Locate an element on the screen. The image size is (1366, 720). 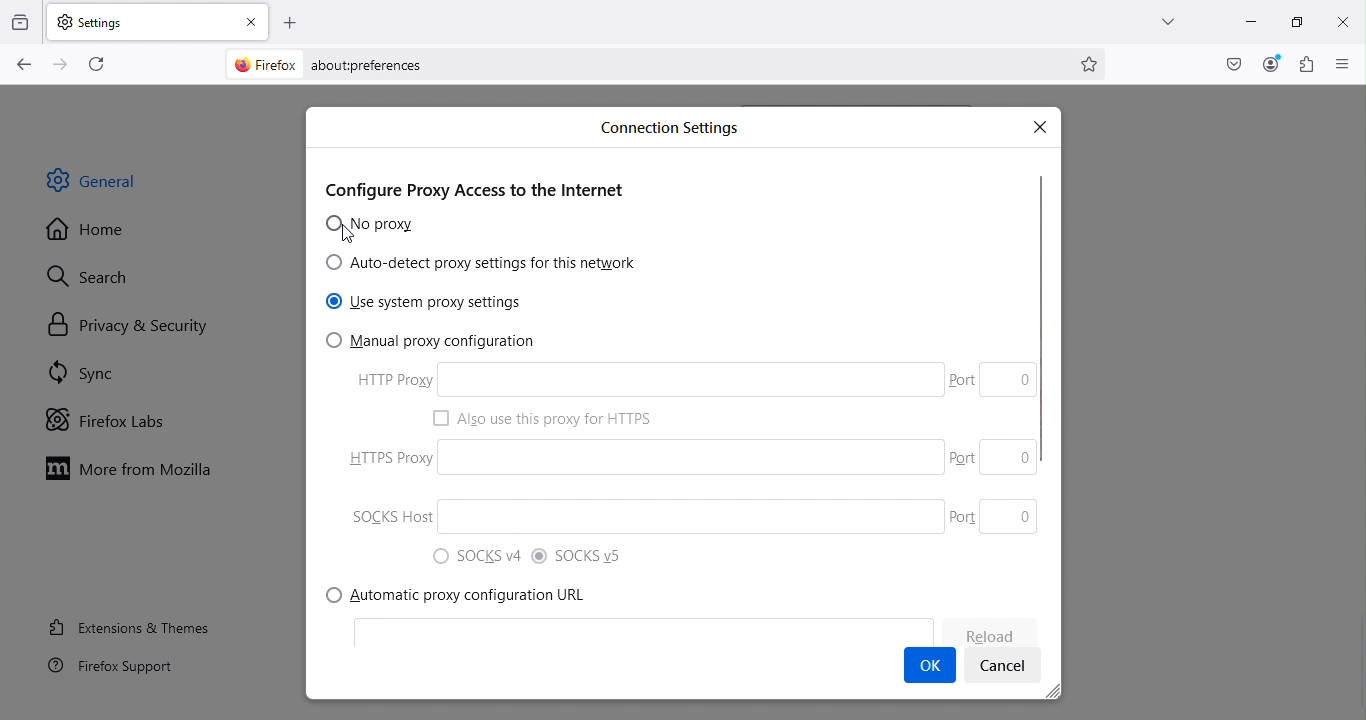
Port is located at coordinates (962, 516).